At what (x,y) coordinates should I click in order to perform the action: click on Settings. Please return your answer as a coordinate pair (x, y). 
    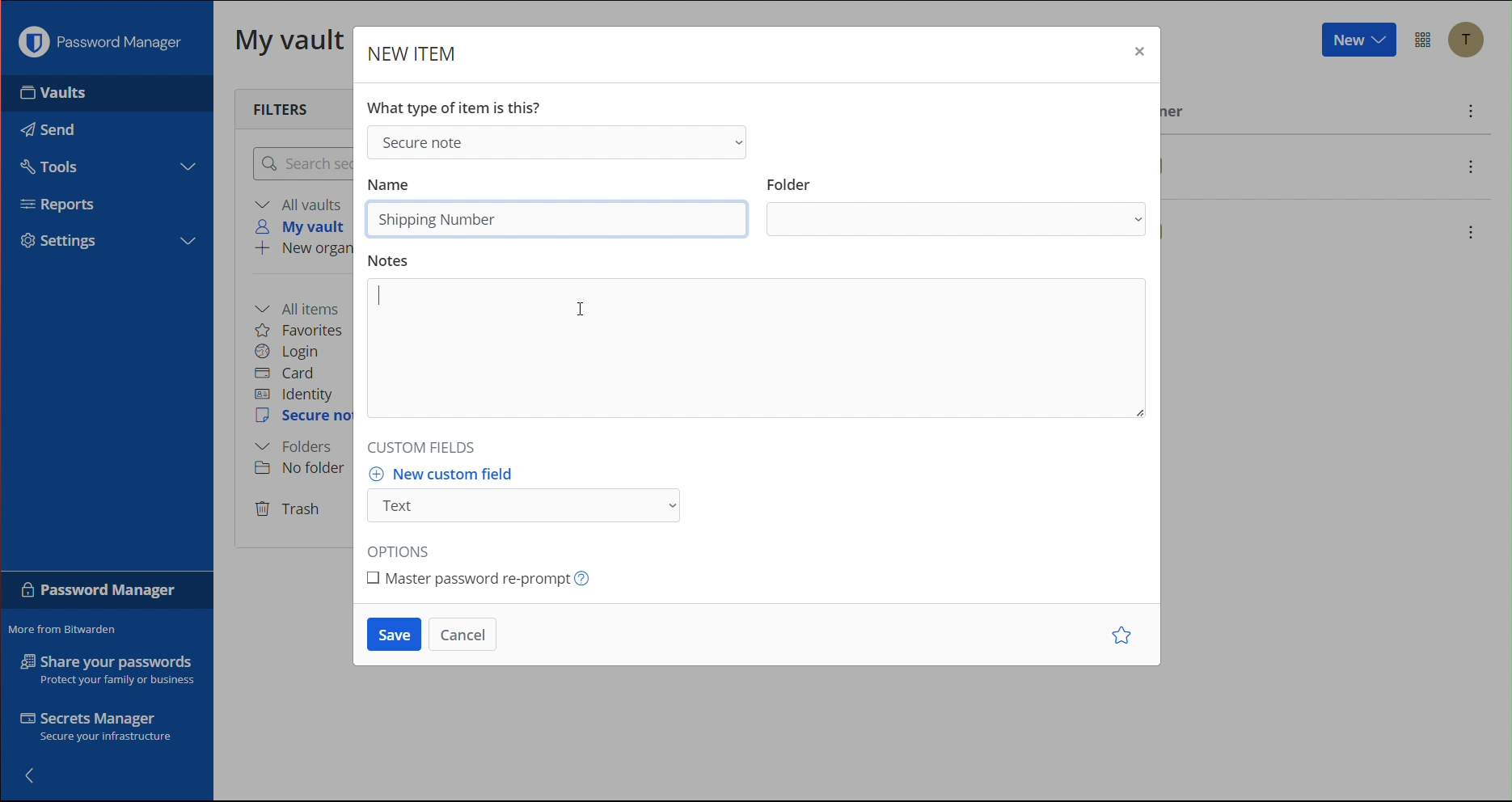
    Looking at the image, I should click on (59, 243).